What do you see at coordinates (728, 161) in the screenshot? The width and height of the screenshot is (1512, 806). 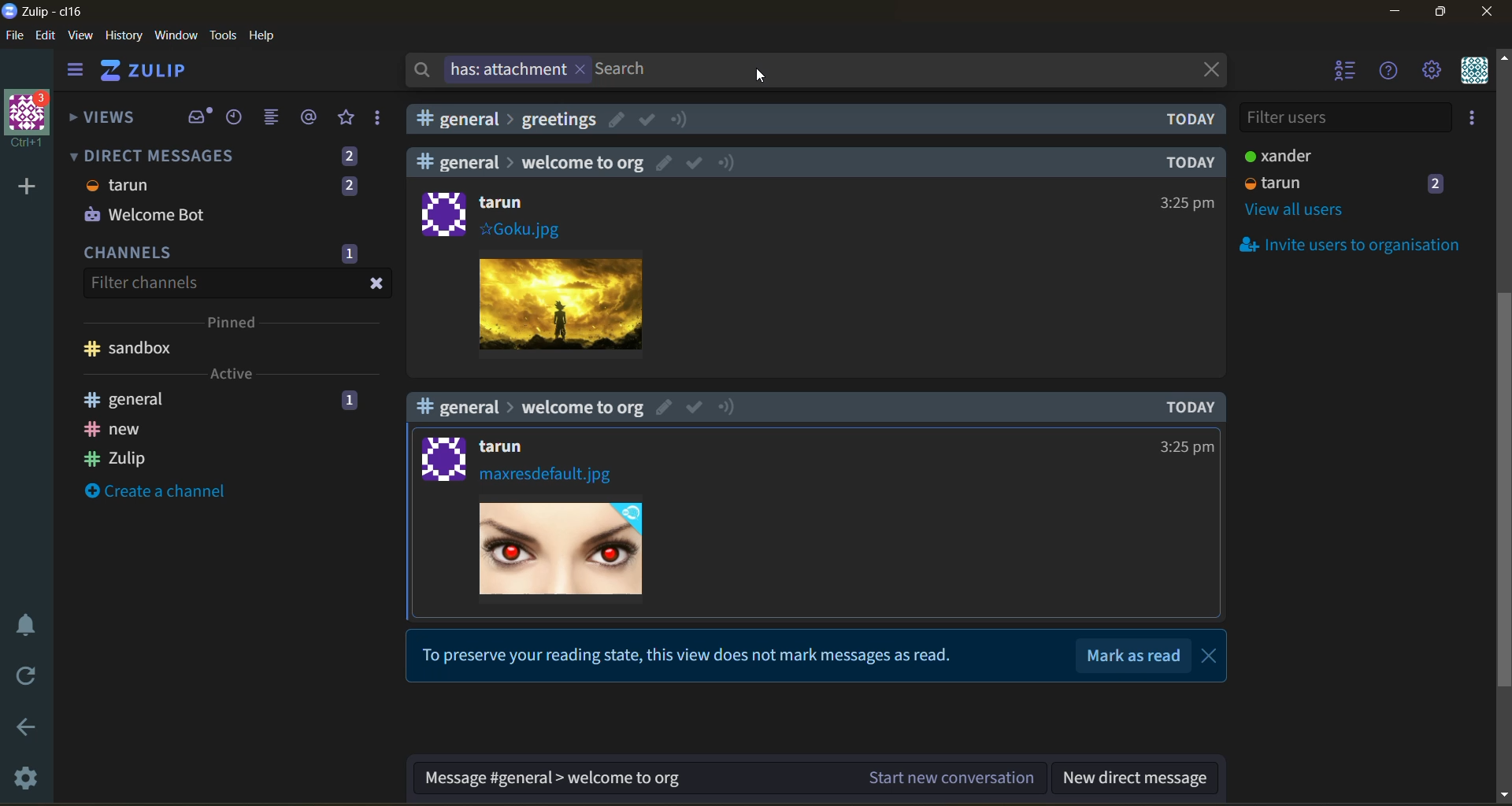 I see `notify` at bounding box center [728, 161].